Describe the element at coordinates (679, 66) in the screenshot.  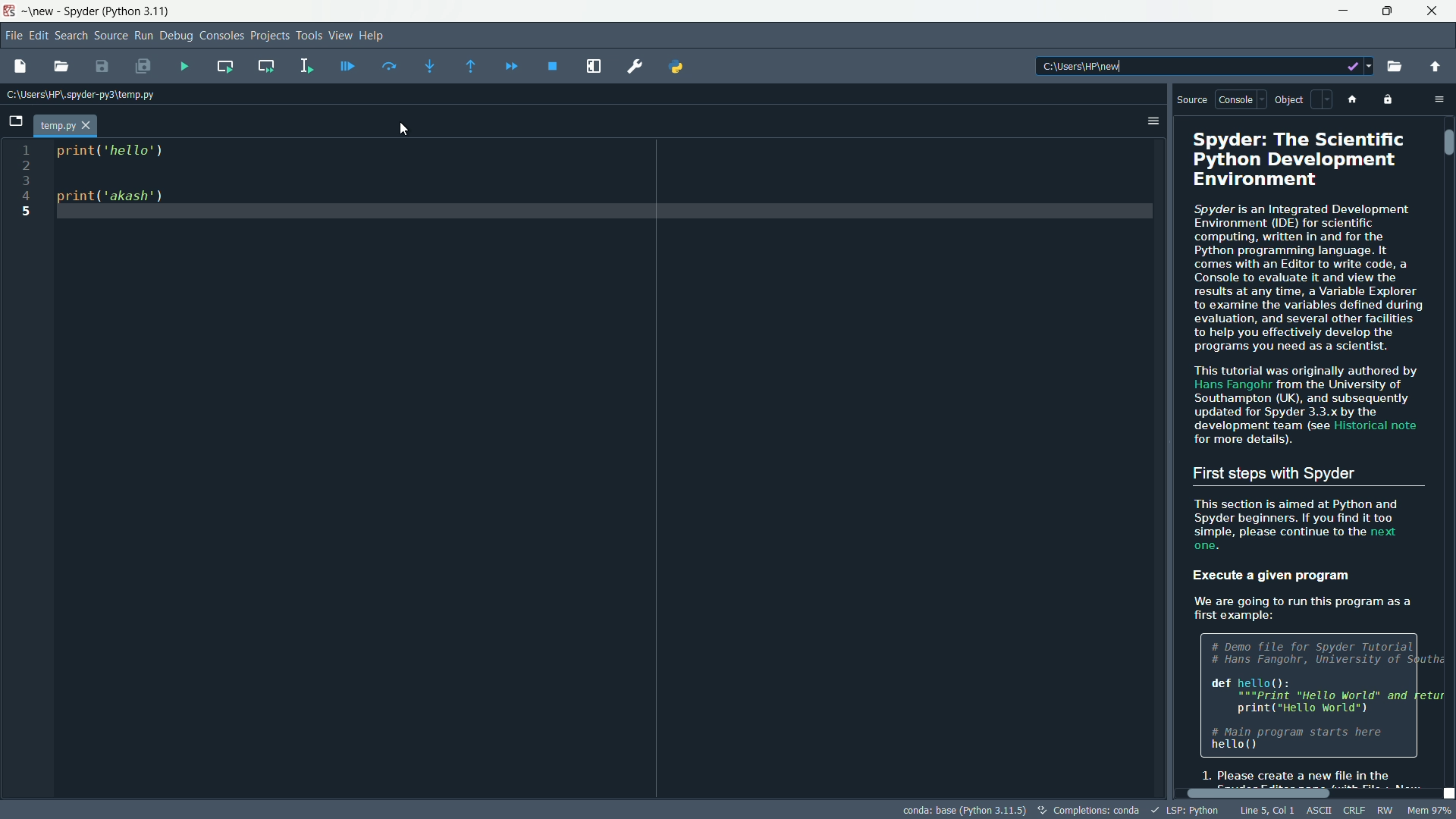
I see `PYTHONPATH manager` at that location.